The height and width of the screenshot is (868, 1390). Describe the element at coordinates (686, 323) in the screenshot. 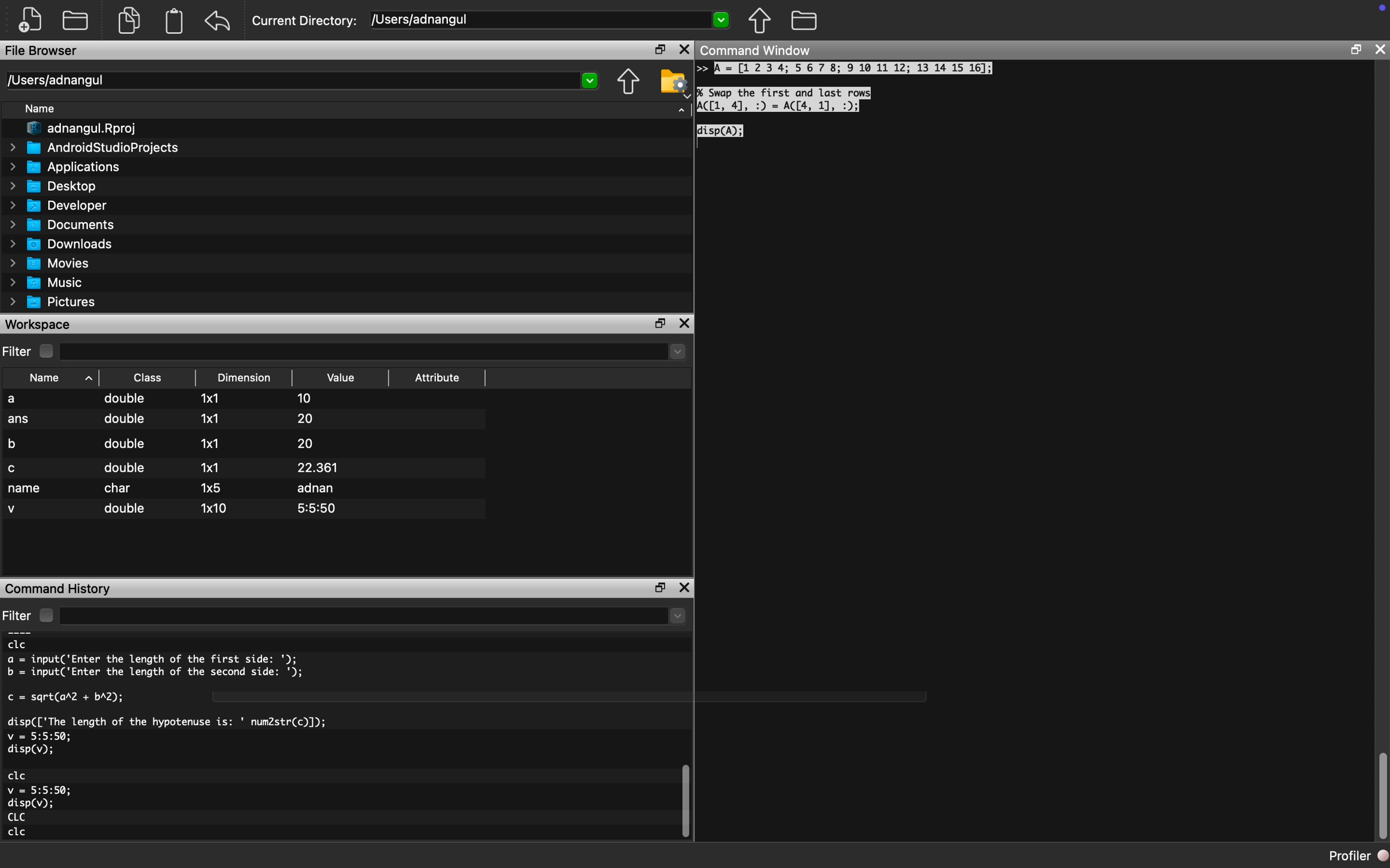

I see `Close` at that location.